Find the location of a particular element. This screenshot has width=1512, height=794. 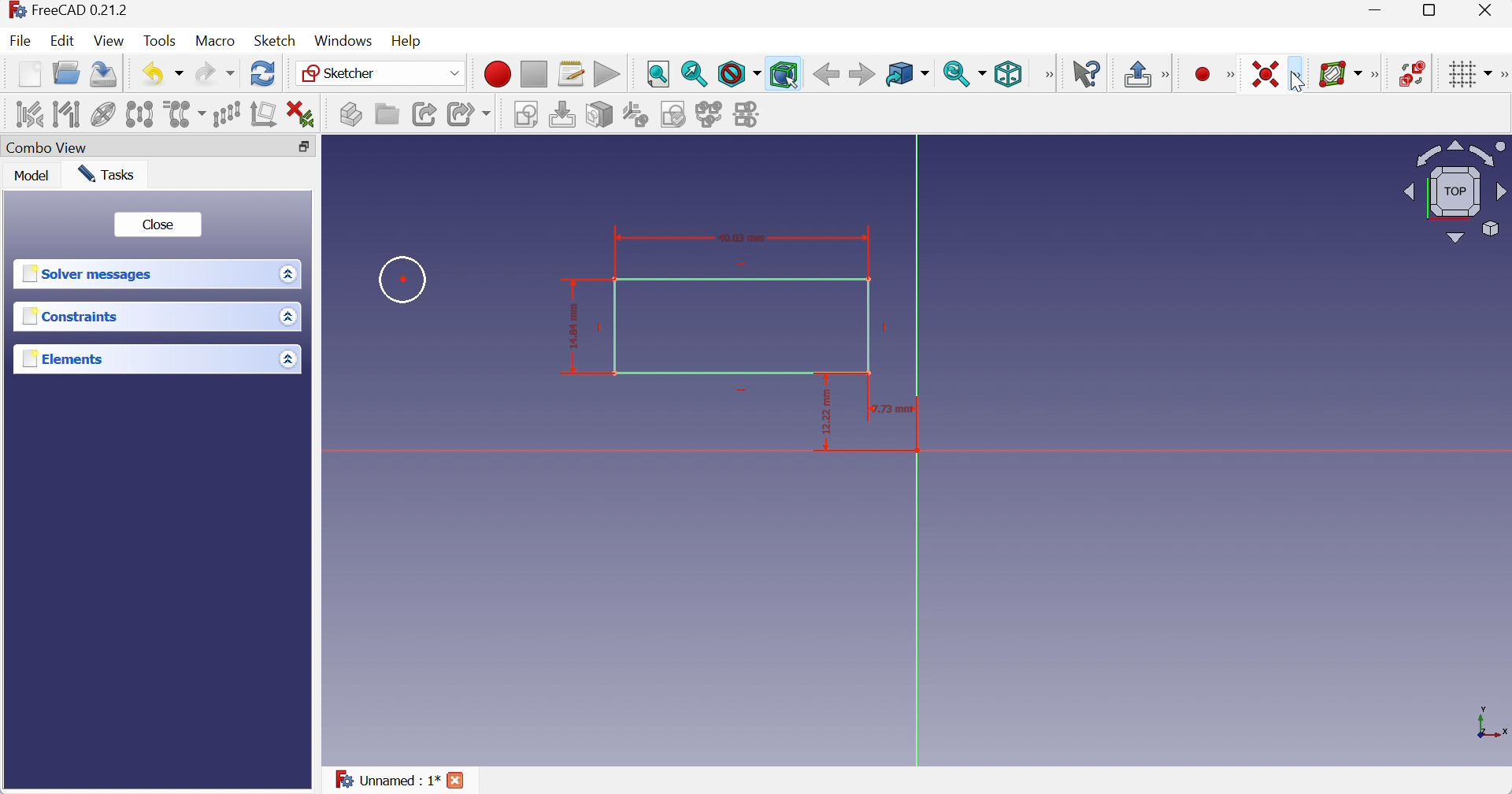

Redo is located at coordinates (215, 73).